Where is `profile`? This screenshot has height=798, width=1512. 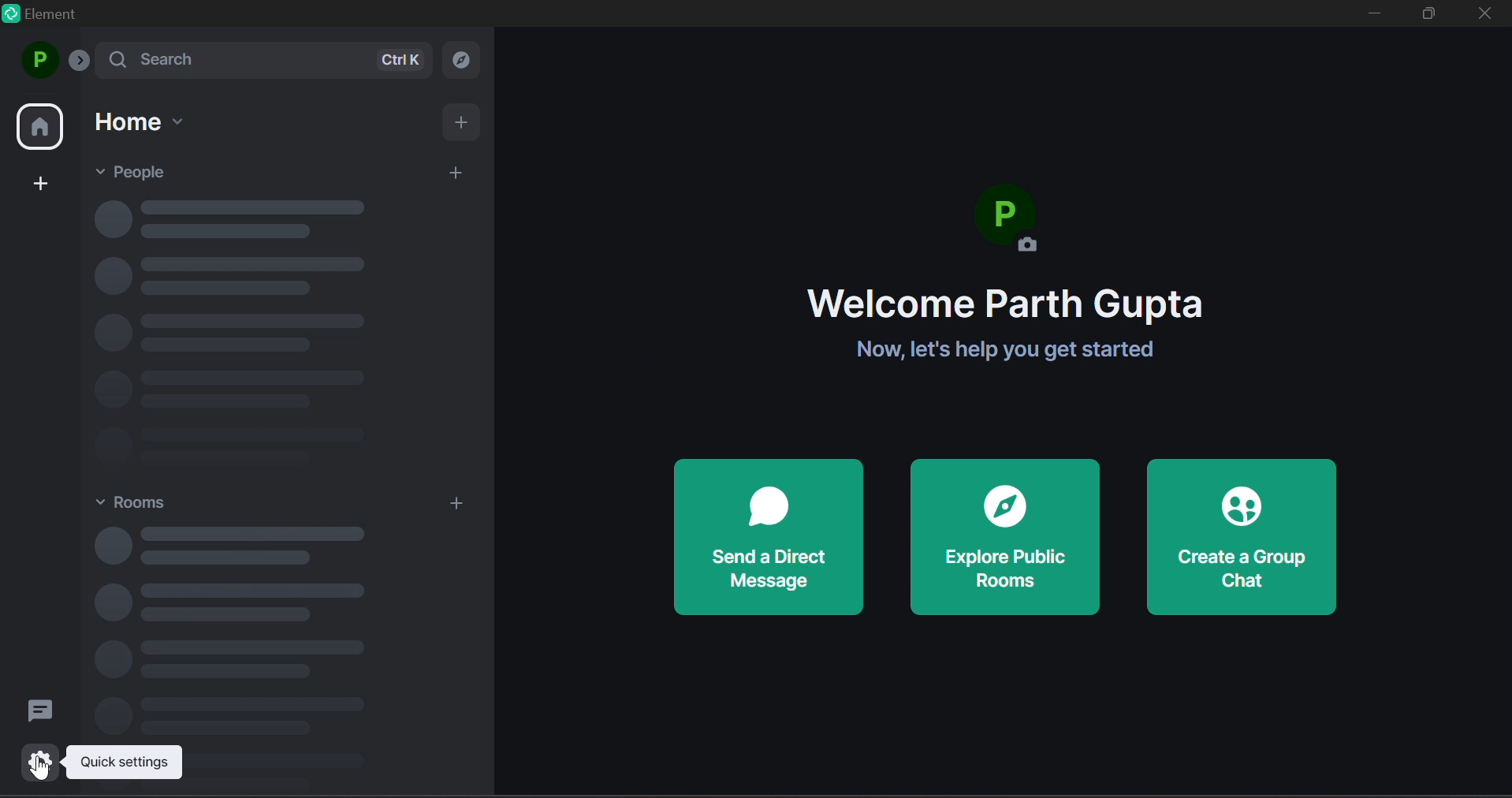 profile is located at coordinates (1015, 226).